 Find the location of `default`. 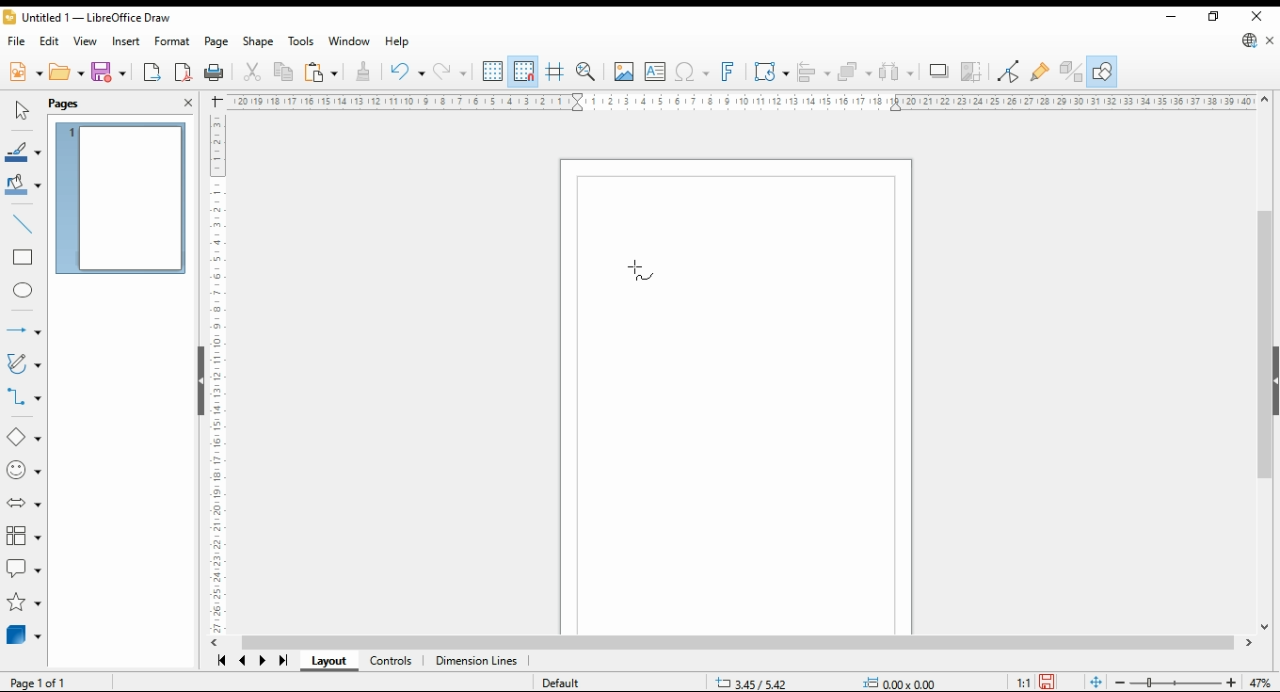

default is located at coordinates (561, 683).